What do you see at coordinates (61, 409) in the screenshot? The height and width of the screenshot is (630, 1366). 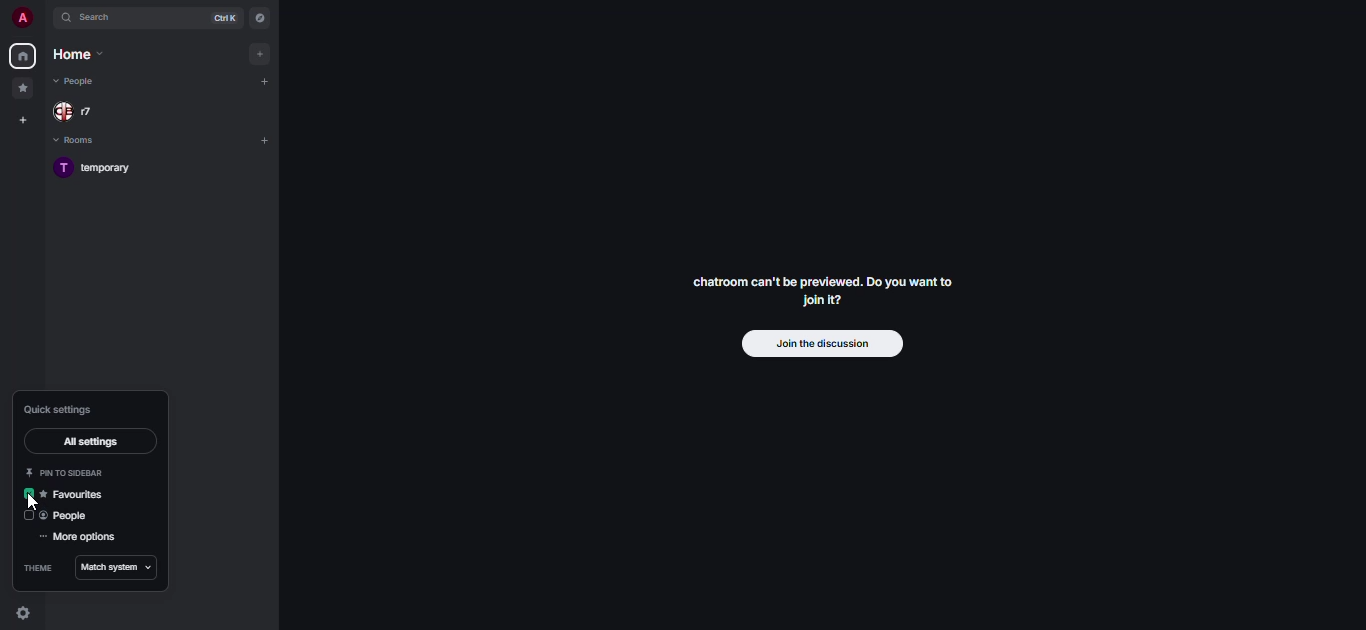 I see `quick settings` at bounding box center [61, 409].